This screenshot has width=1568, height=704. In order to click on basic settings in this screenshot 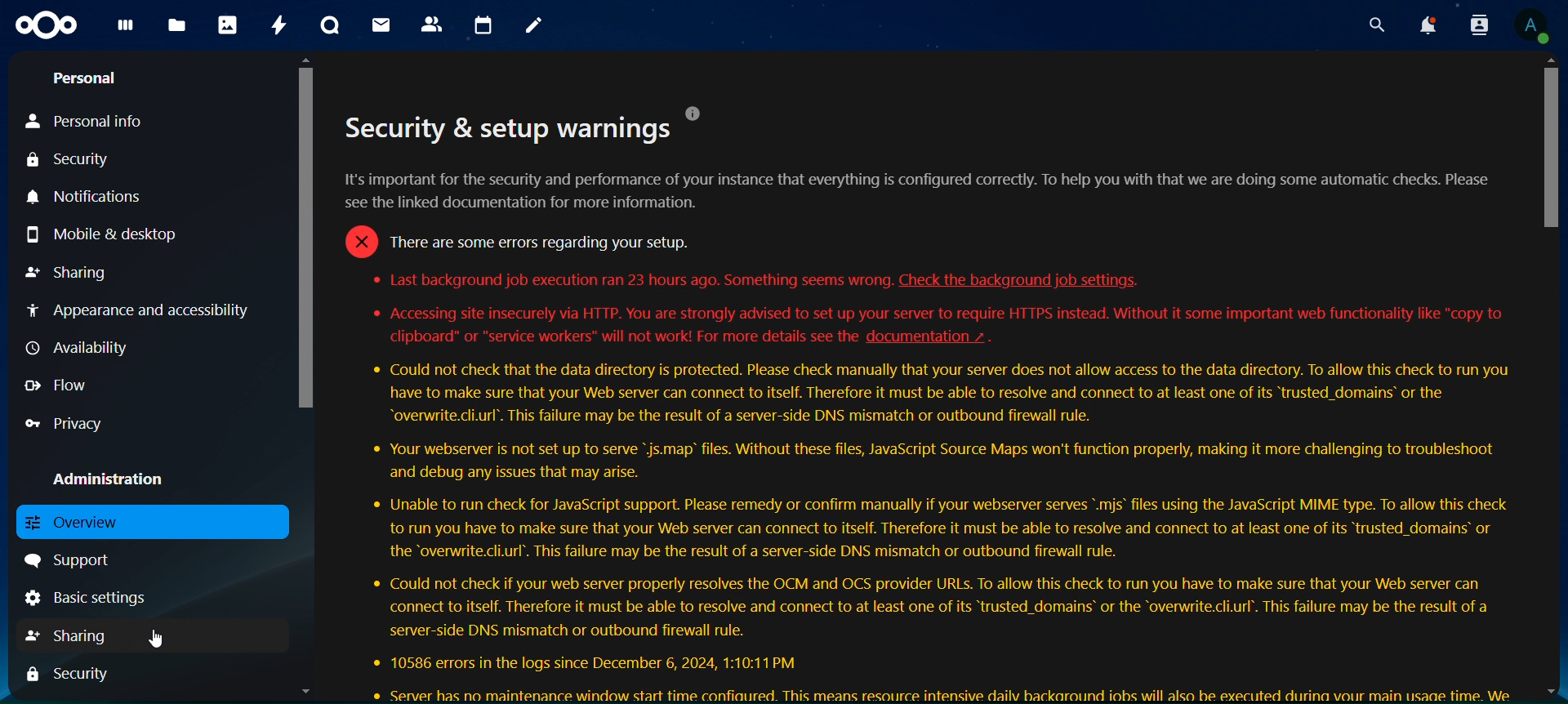, I will do `click(100, 599)`.